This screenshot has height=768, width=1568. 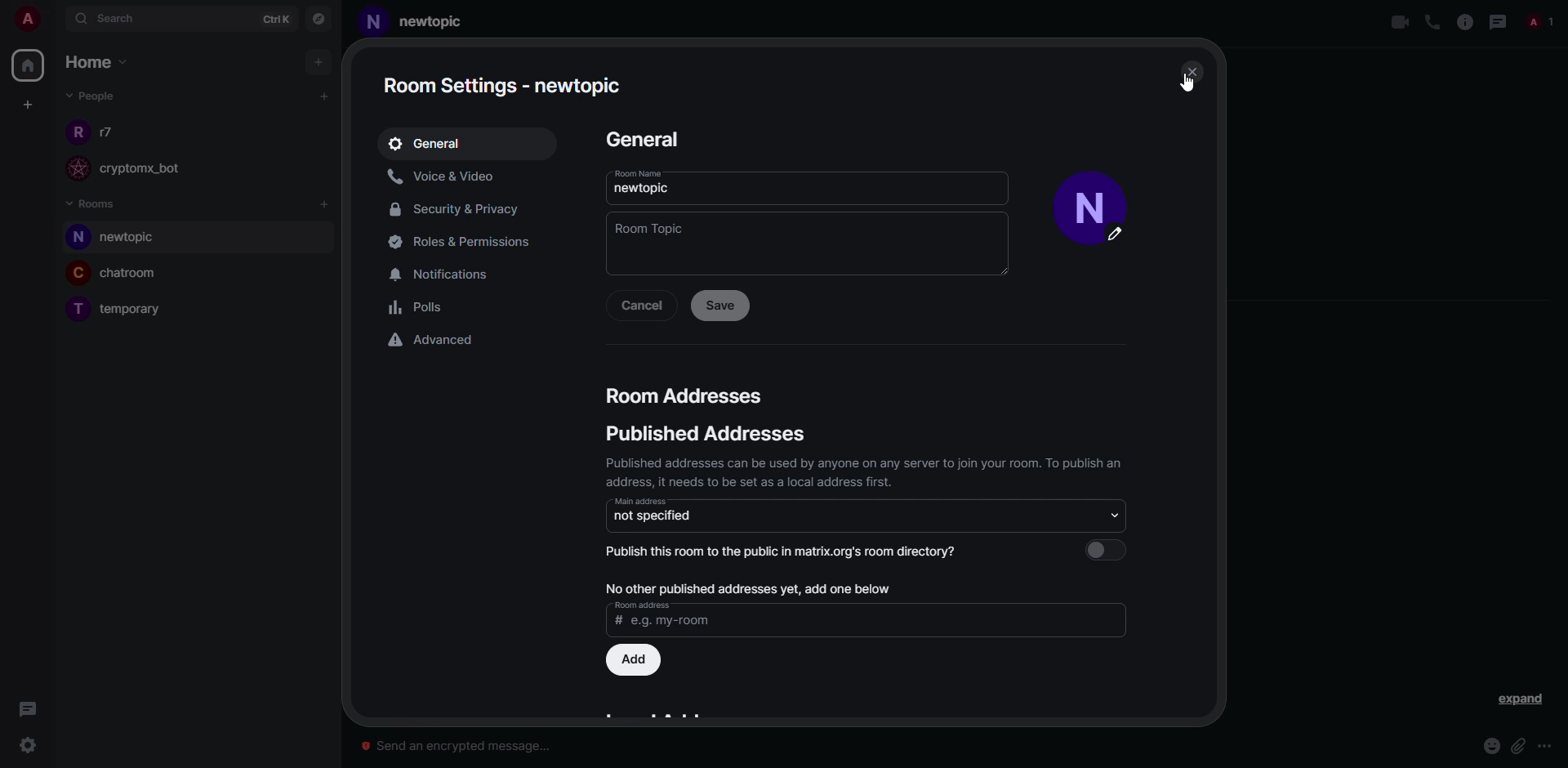 What do you see at coordinates (1110, 514) in the screenshot?
I see `drop down` at bounding box center [1110, 514].